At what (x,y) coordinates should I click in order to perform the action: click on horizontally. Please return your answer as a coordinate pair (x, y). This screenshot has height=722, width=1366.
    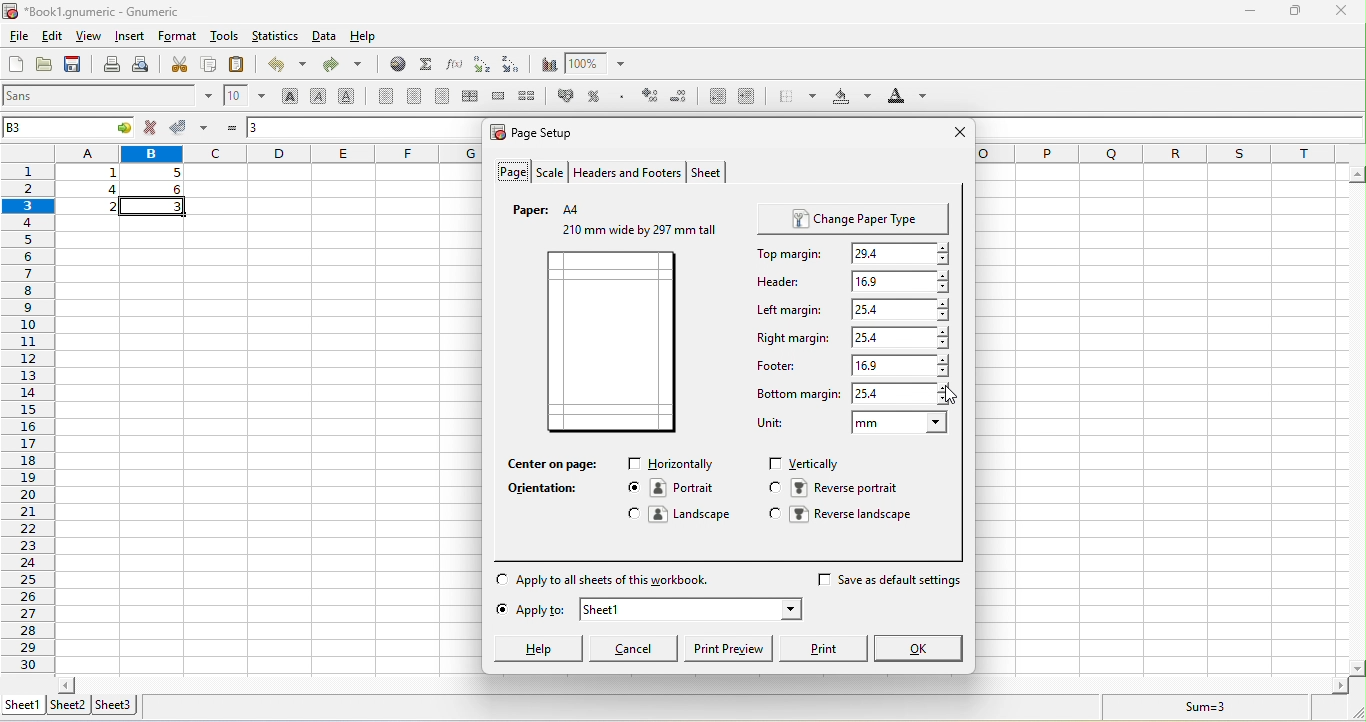
    Looking at the image, I should click on (675, 465).